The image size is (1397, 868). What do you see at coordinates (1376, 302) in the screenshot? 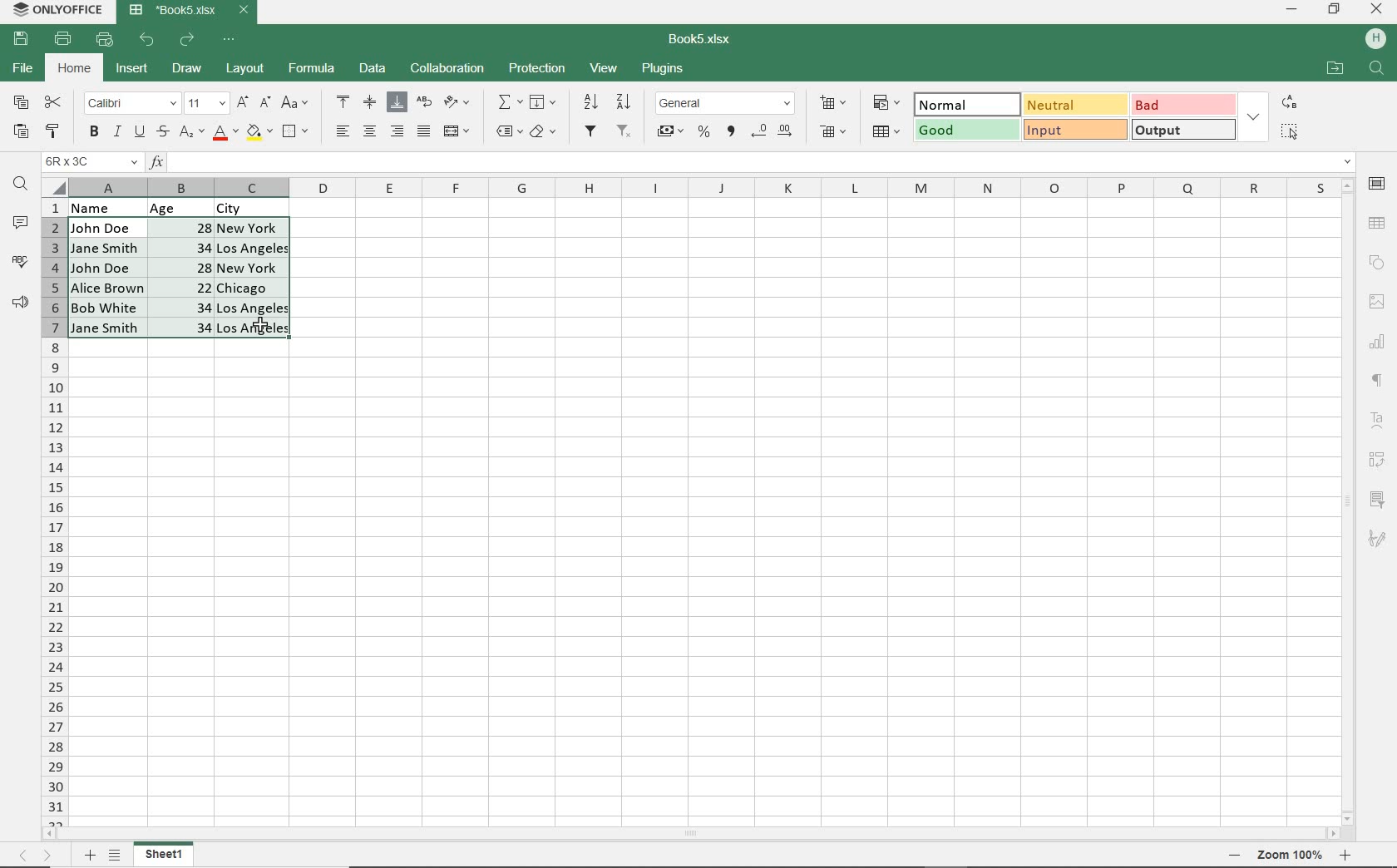
I see `IMAGE` at bounding box center [1376, 302].